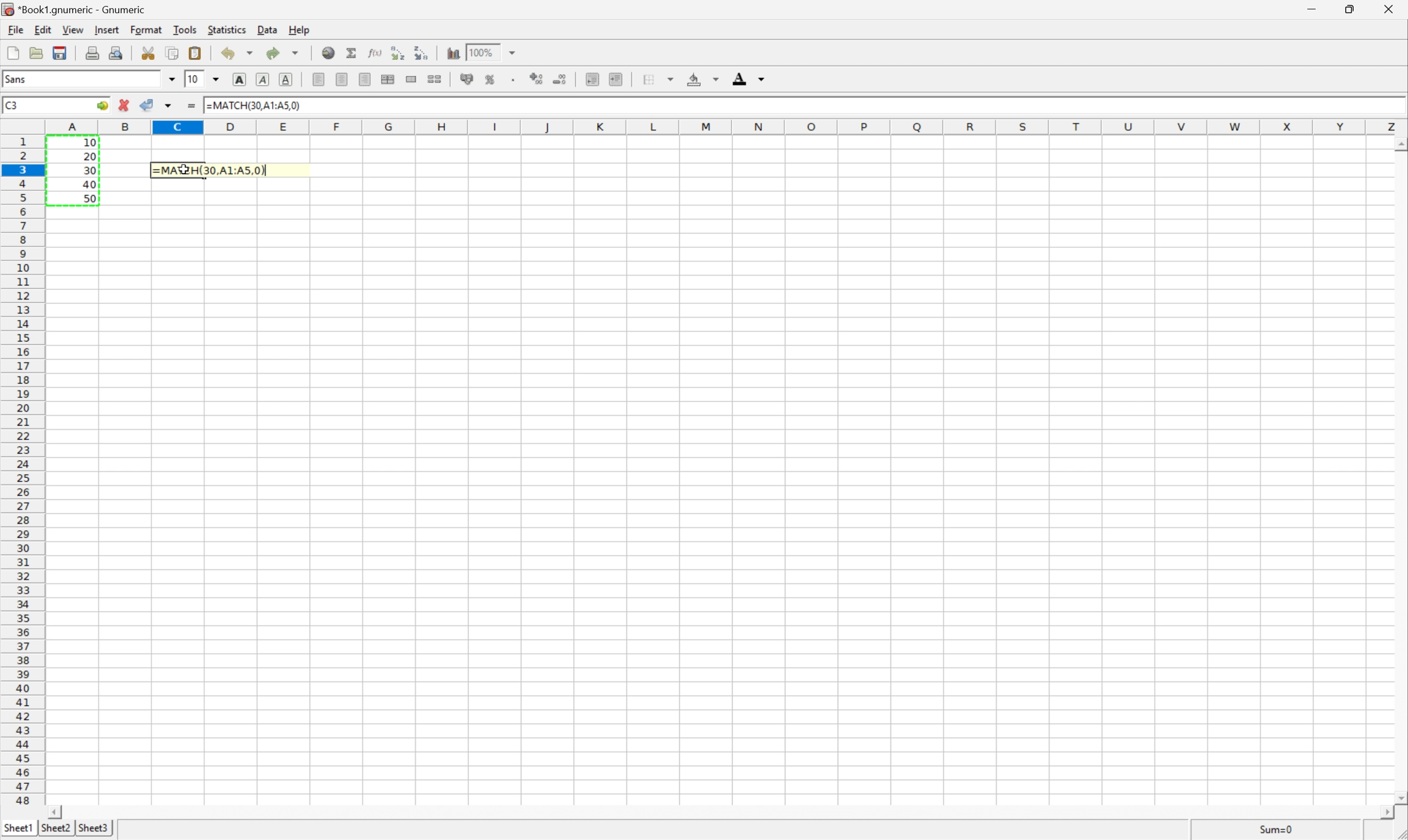 This screenshot has width=1408, height=840. Describe the element at coordinates (124, 107) in the screenshot. I see `cancel change` at that location.